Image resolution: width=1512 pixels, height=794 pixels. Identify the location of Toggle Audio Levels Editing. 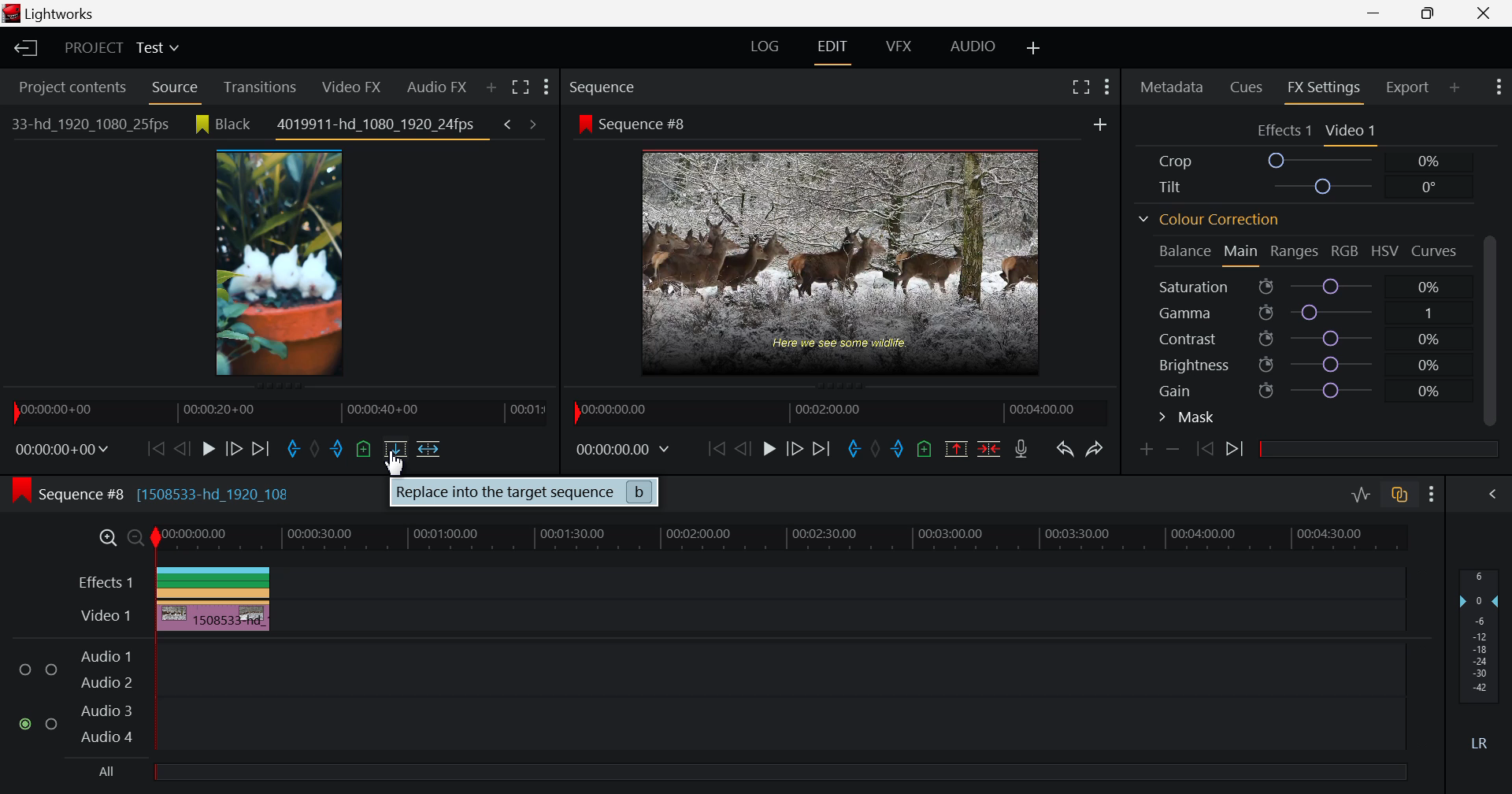
(1361, 496).